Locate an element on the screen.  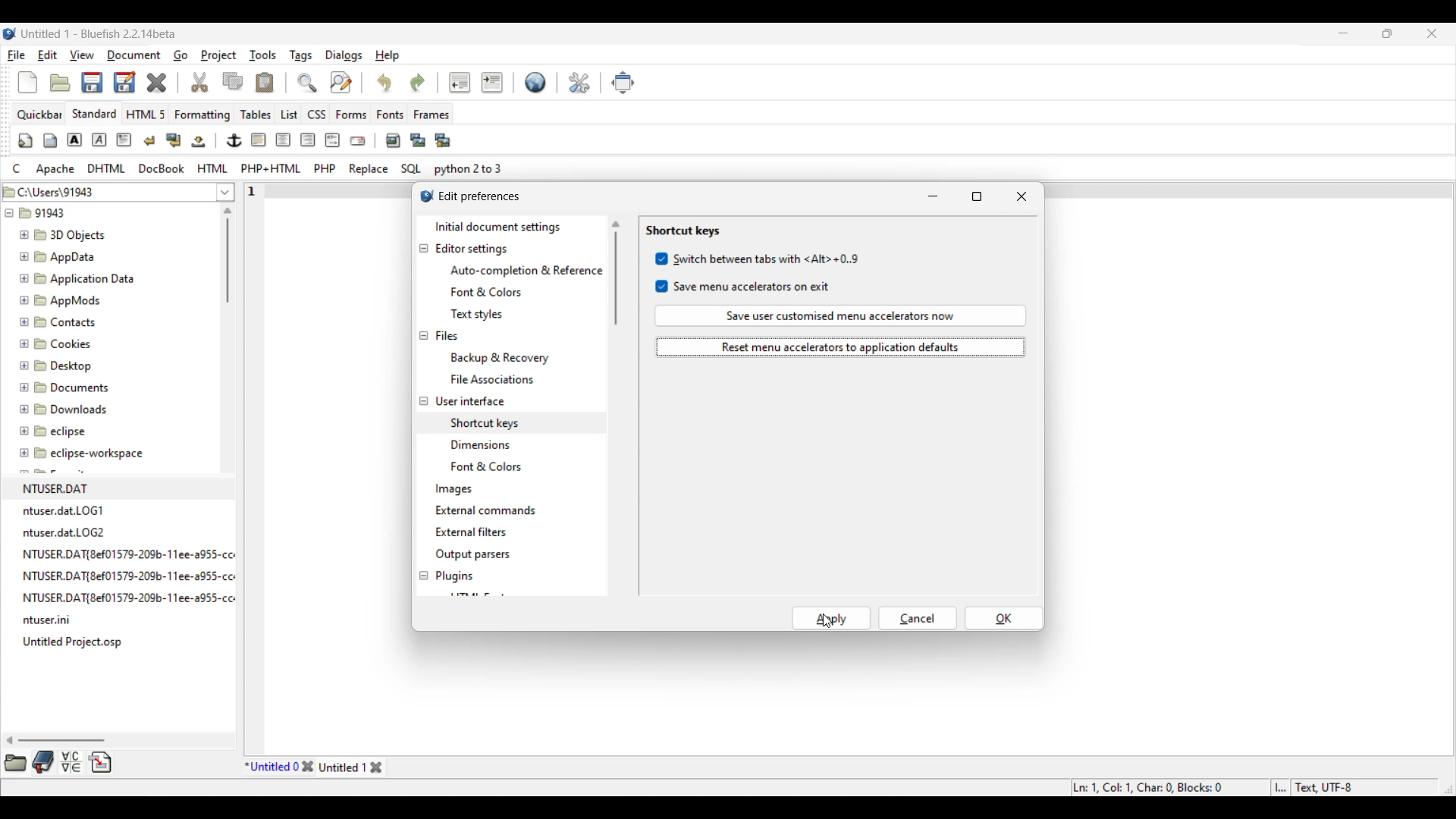
Backup & Recovery is located at coordinates (504, 357).